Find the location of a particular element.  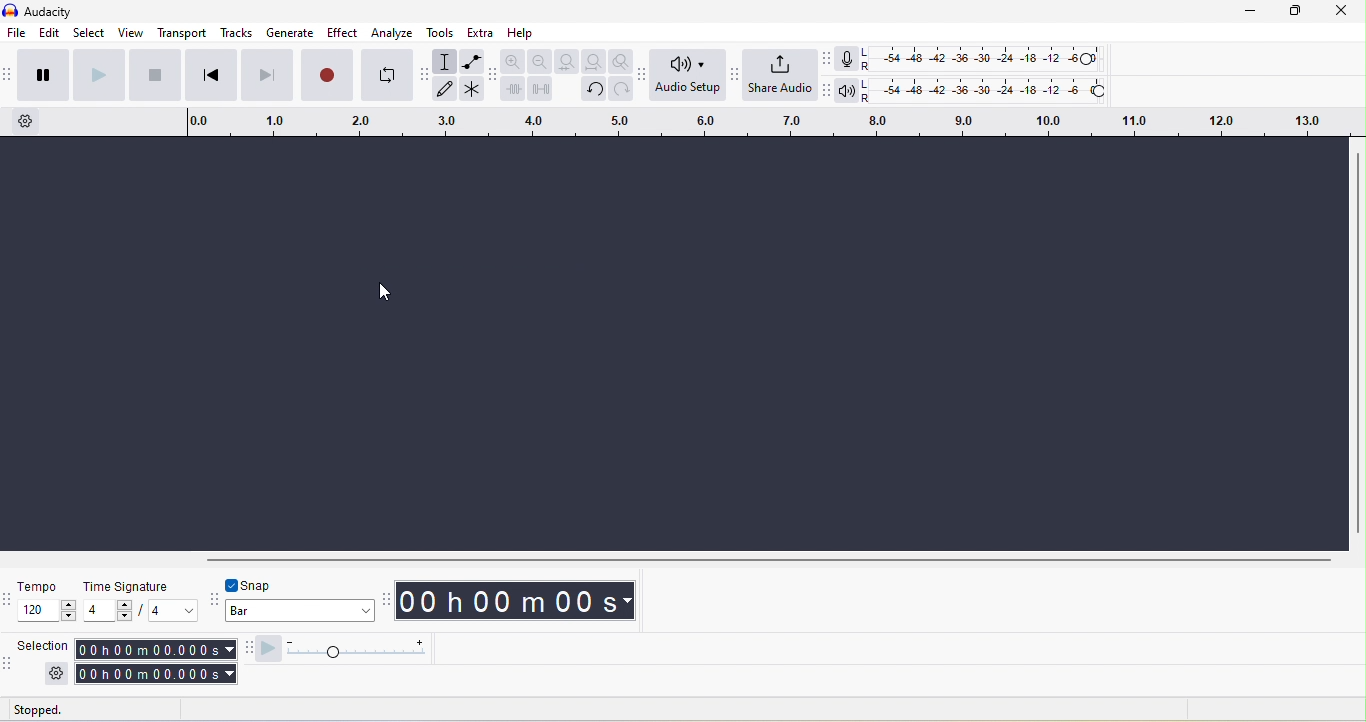

skip to end is located at coordinates (267, 76).